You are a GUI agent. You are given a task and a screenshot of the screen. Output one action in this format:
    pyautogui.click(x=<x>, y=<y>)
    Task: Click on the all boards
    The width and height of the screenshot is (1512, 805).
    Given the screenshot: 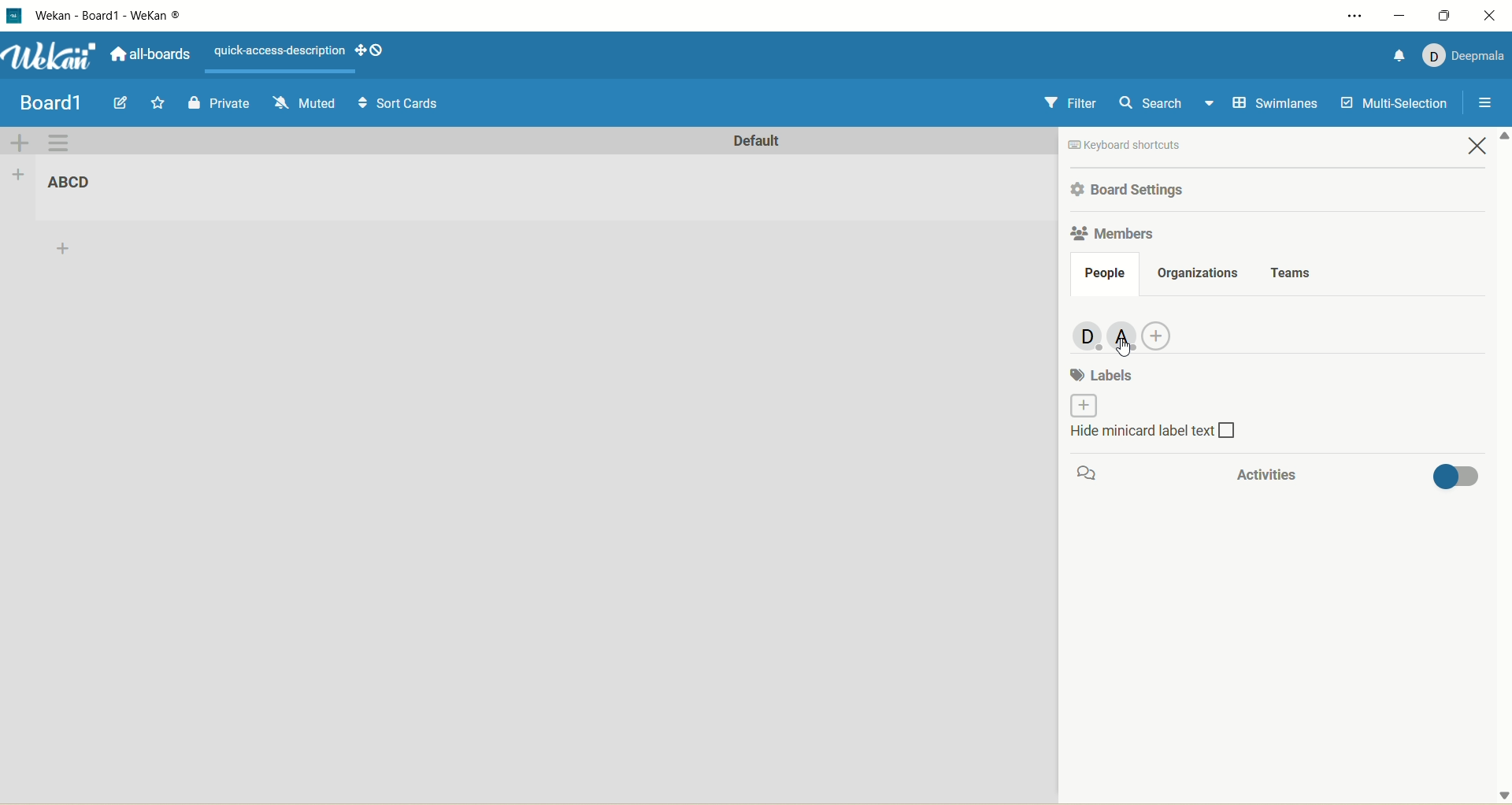 What is the action you would take?
    pyautogui.click(x=150, y=54)
    